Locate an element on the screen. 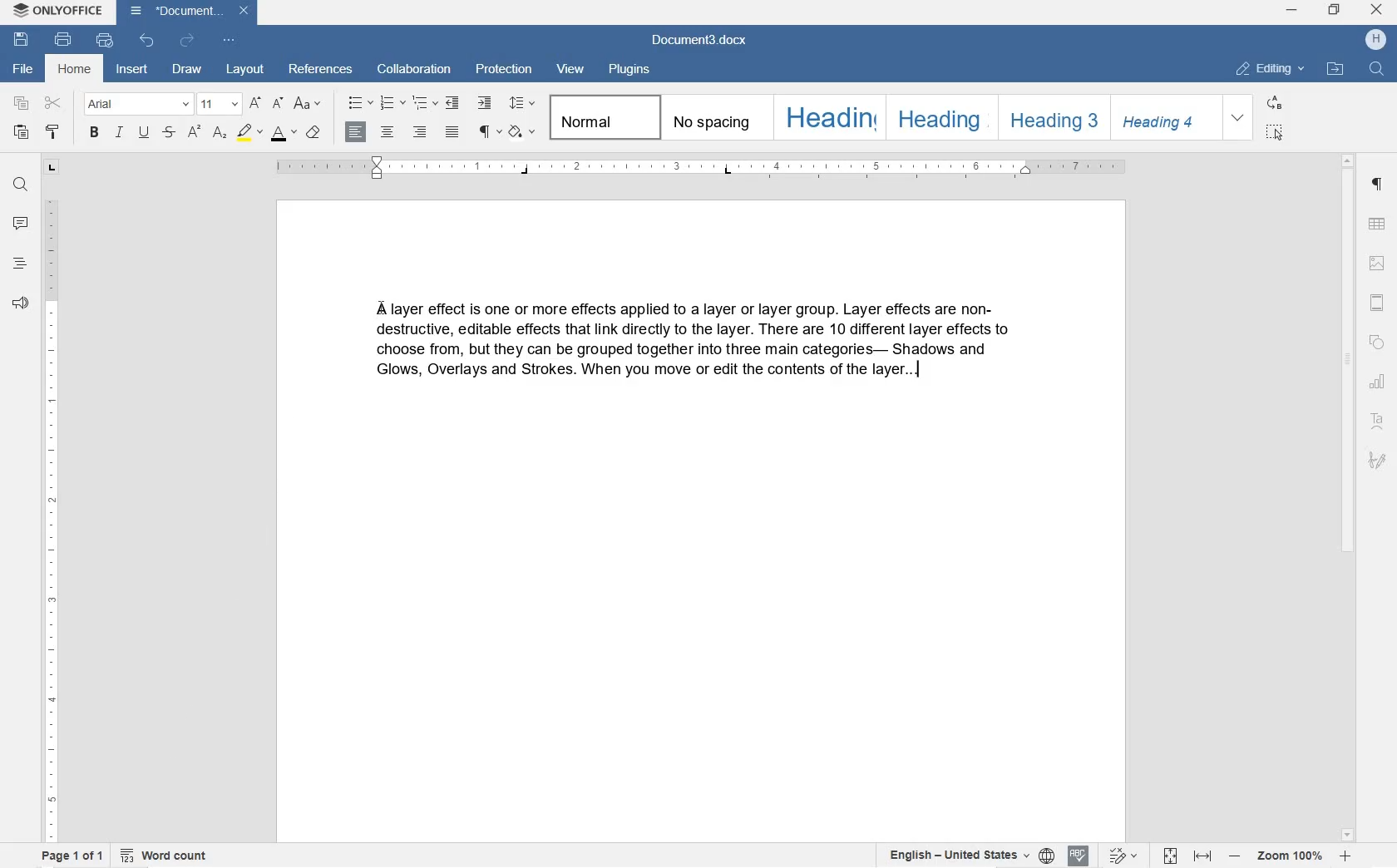 Image resolution: width=1397 pixels, height=868 pixels. CHART is located at coordinates (1380, 381).